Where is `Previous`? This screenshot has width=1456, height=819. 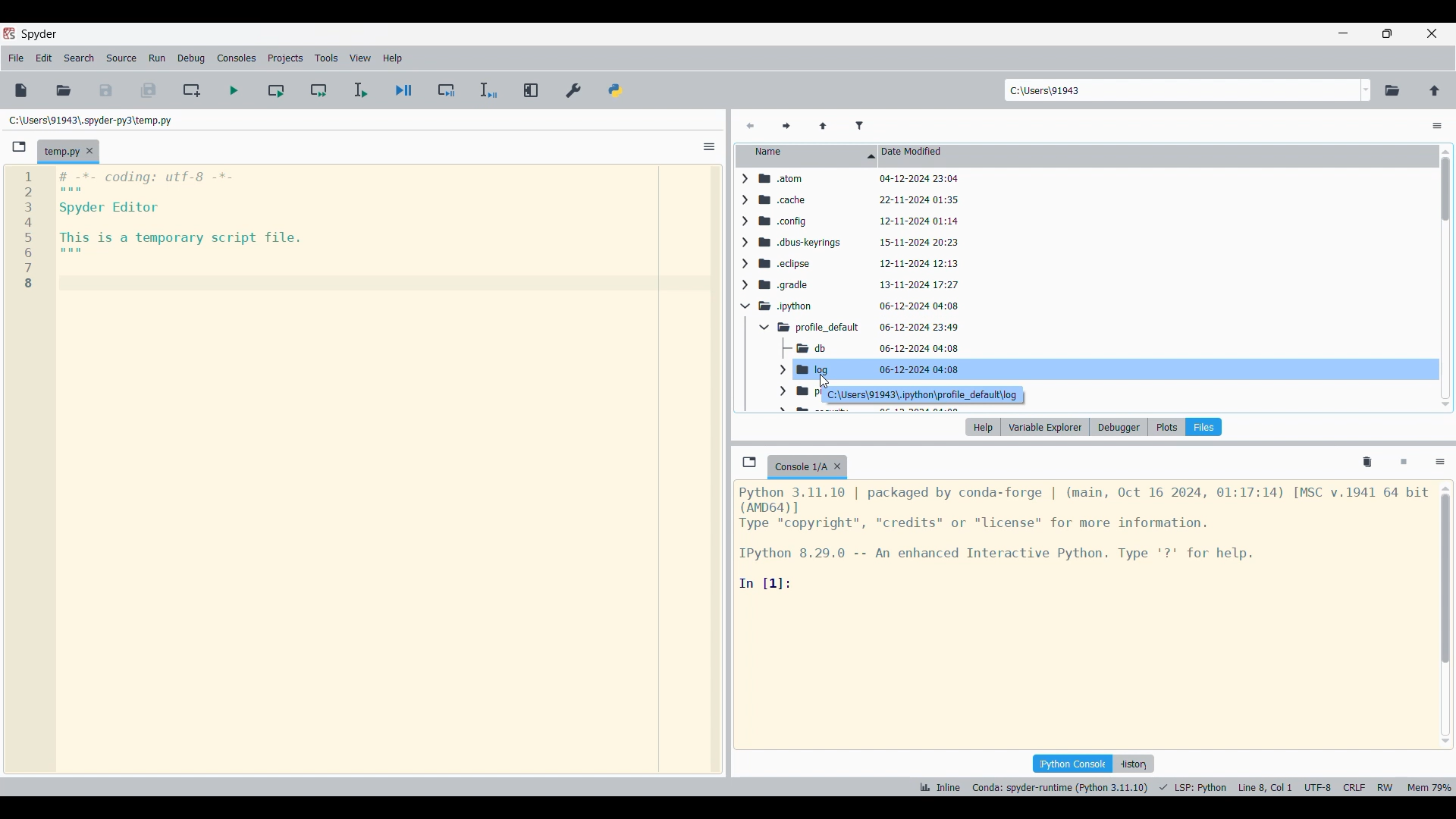 Previous is located at coordinates (750, 127).